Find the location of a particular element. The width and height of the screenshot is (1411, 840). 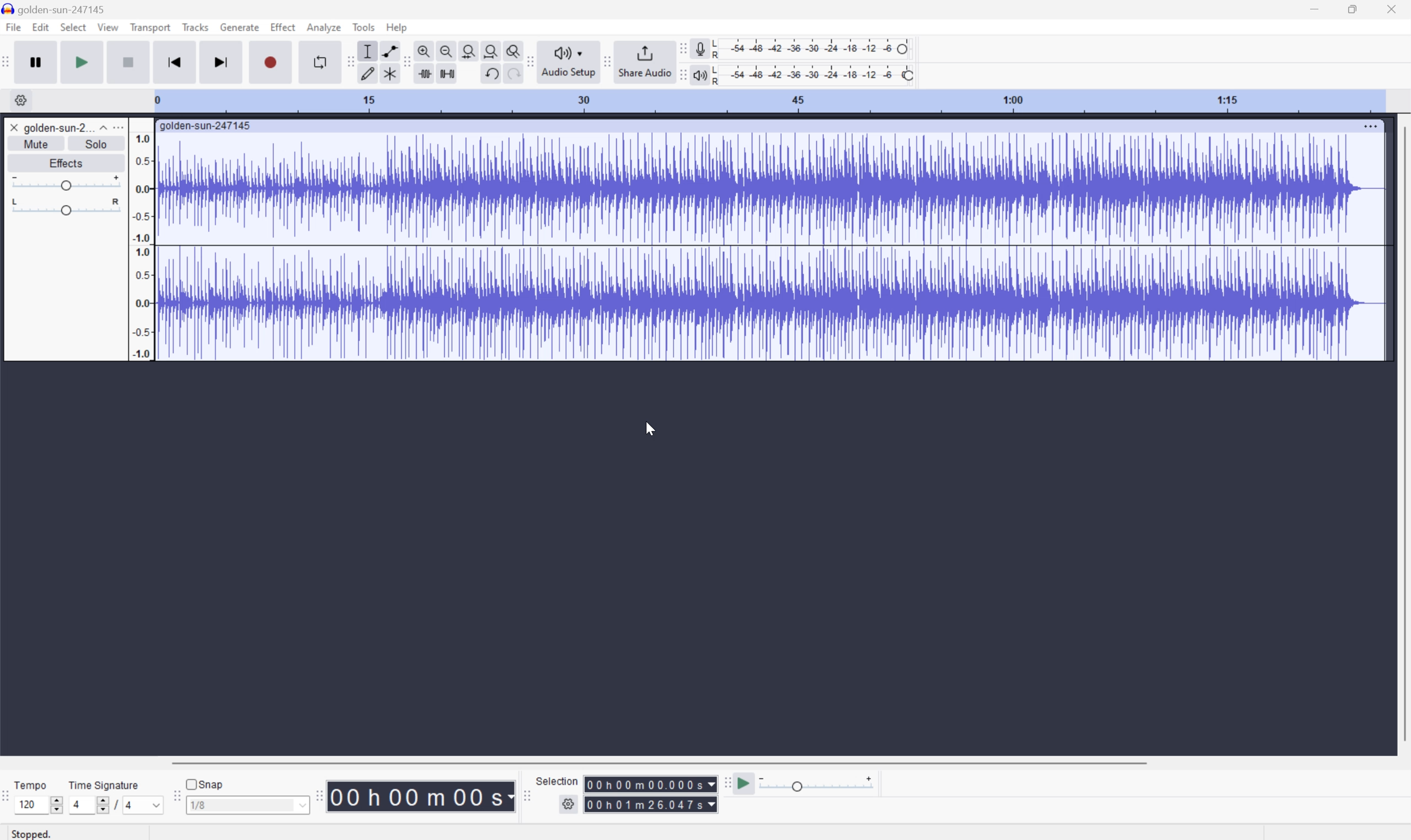

Audacity edit toolbar is located at coordinates (406, 63).